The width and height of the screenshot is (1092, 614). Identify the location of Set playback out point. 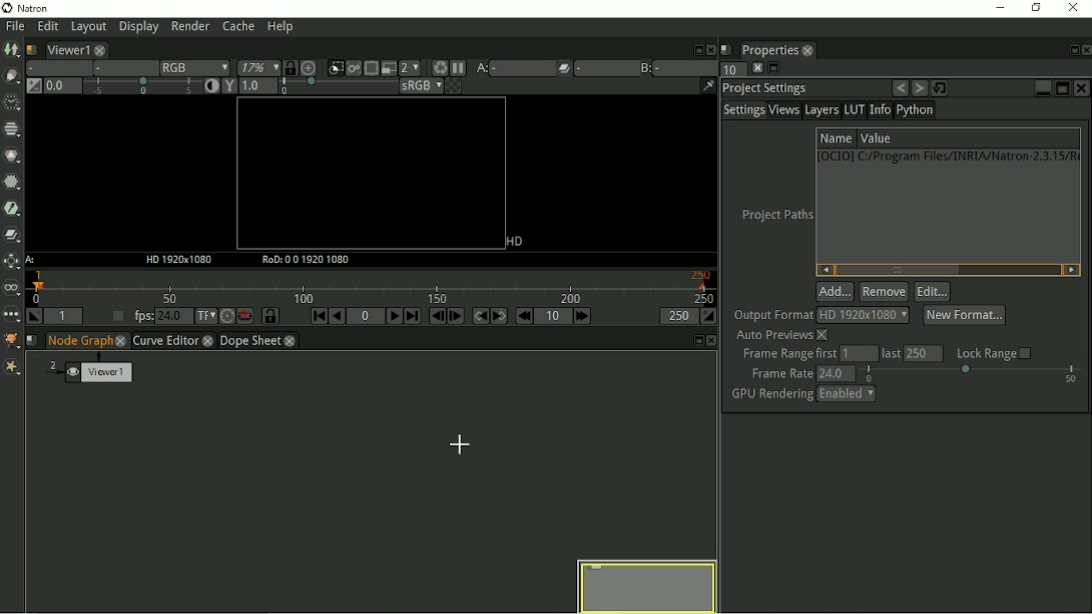
(708, 315).